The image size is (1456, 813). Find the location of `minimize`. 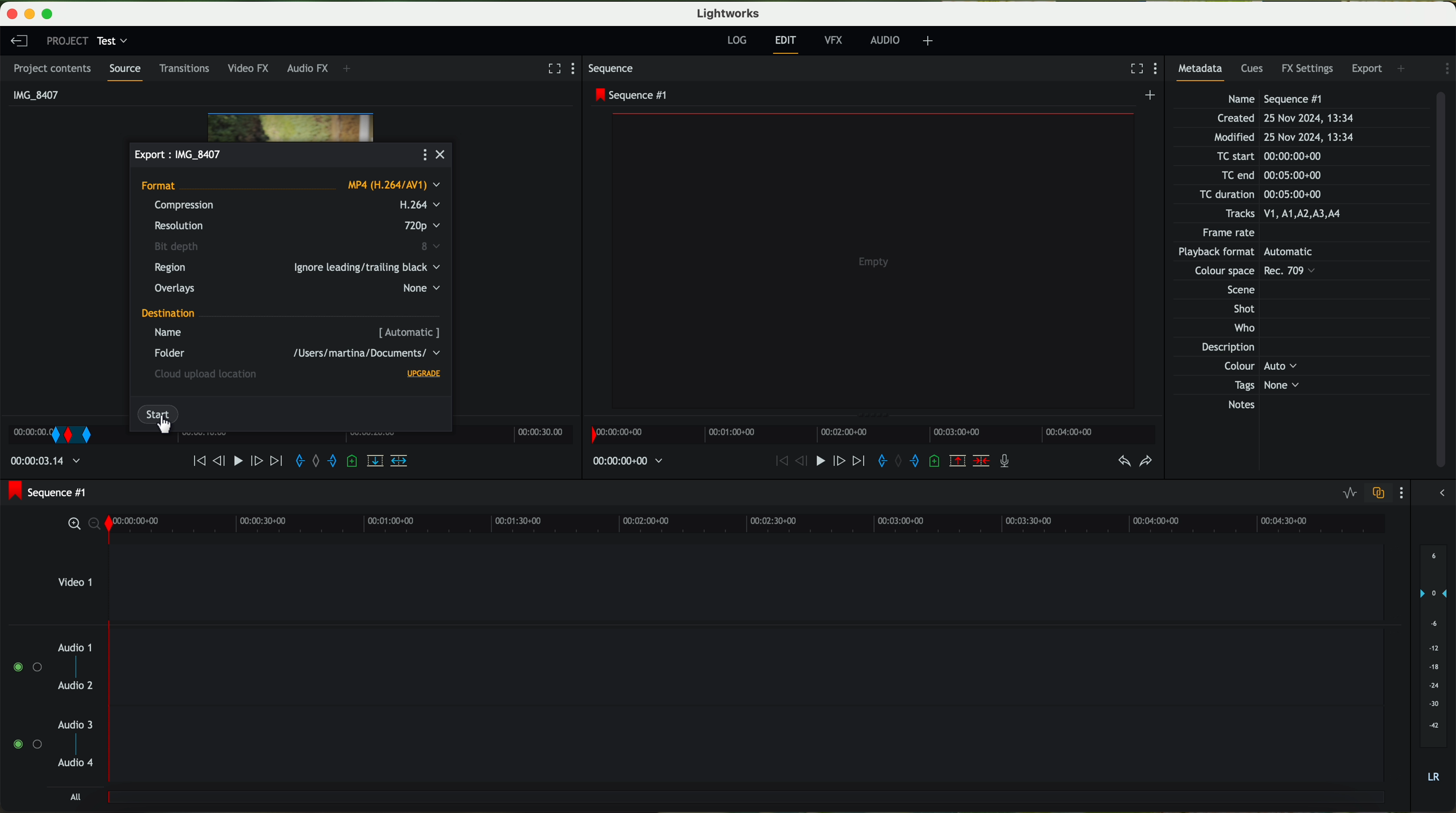

minimize is located at coordinates (27, 12).